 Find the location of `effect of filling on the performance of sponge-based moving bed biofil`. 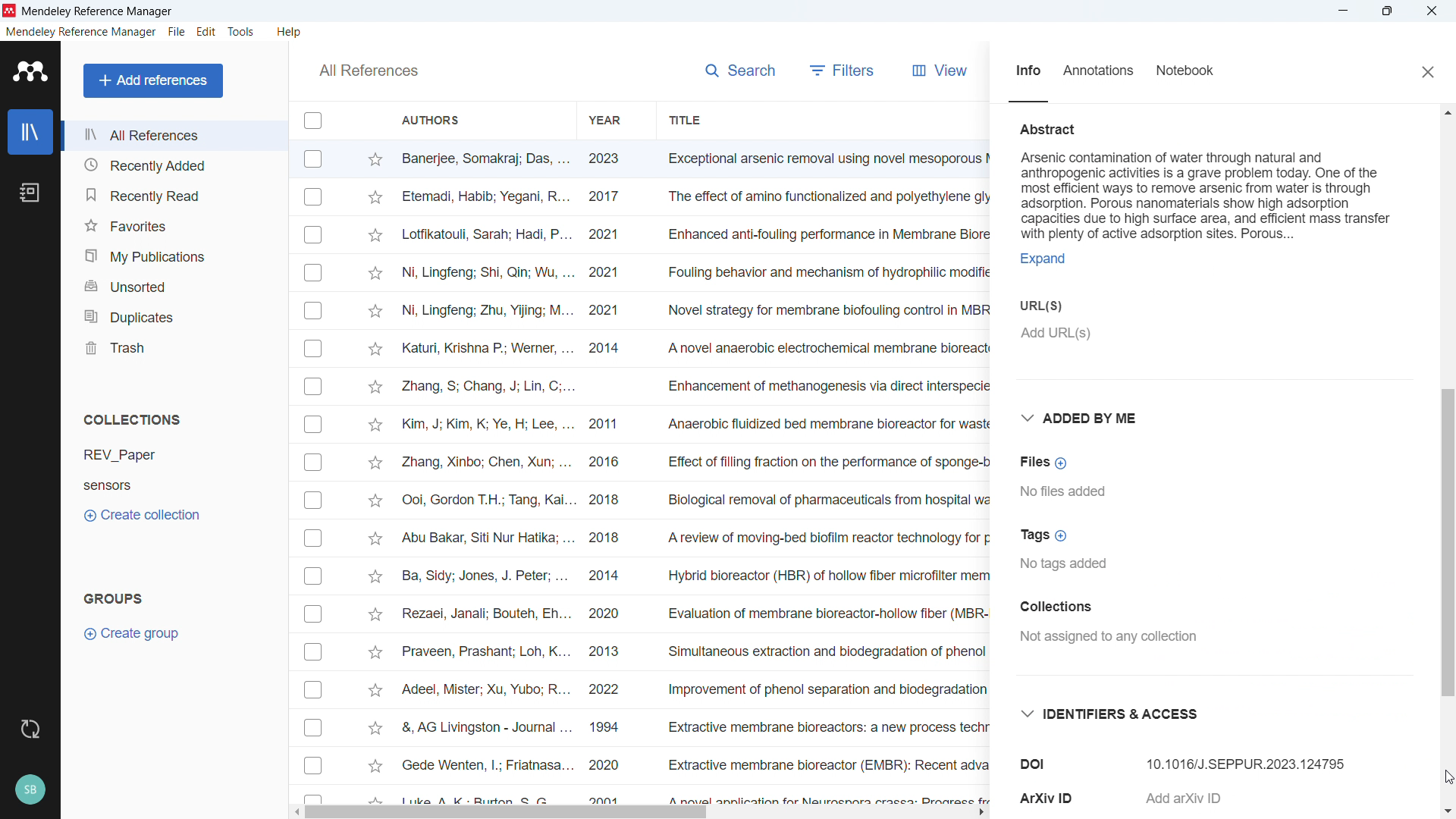

effect of filling on the performance of sponge-based moving bed biofil is located at coordinates (827, 460).